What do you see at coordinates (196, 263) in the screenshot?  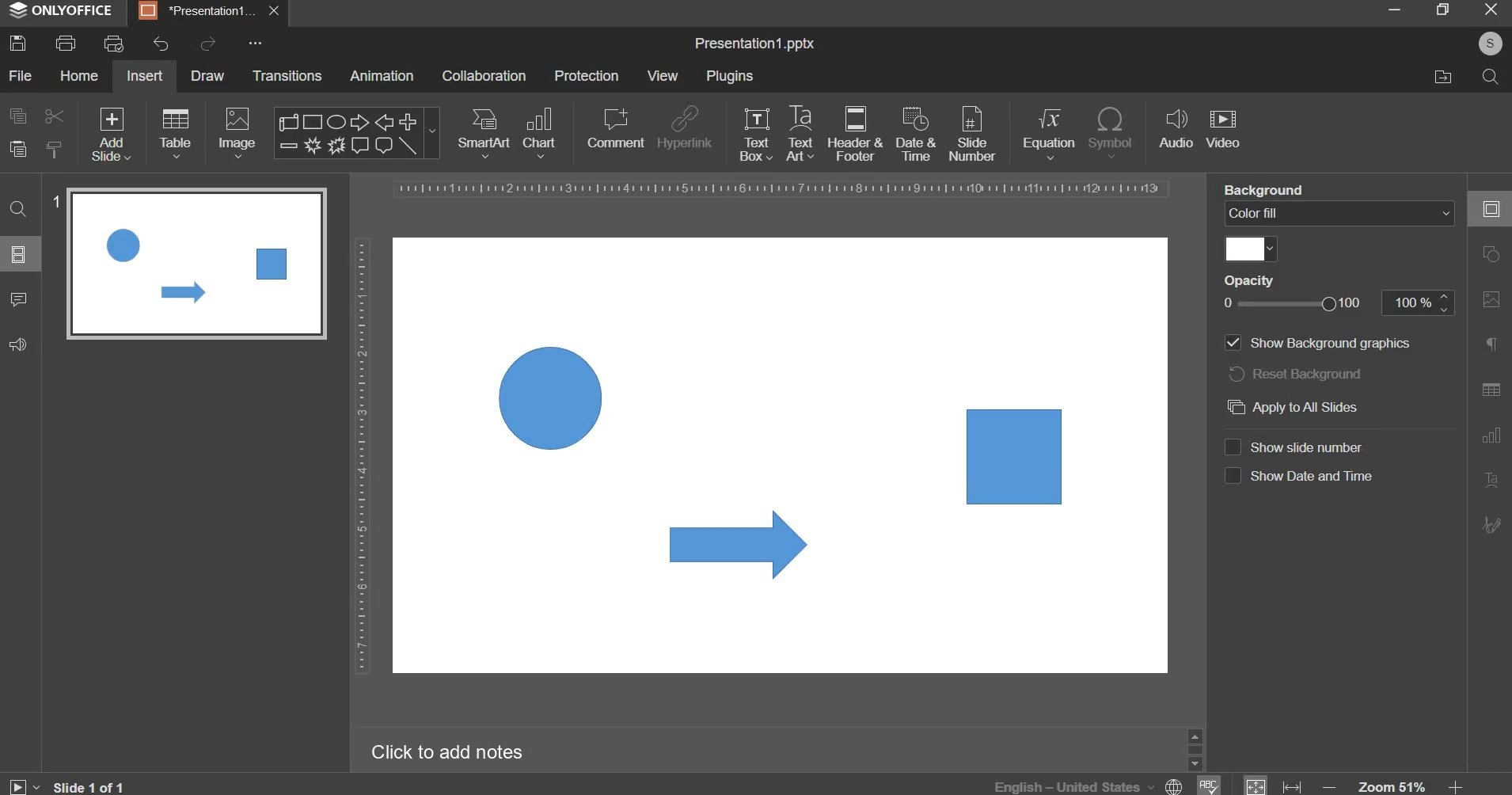 I see `slide preview` at bounding box center [196, 263].